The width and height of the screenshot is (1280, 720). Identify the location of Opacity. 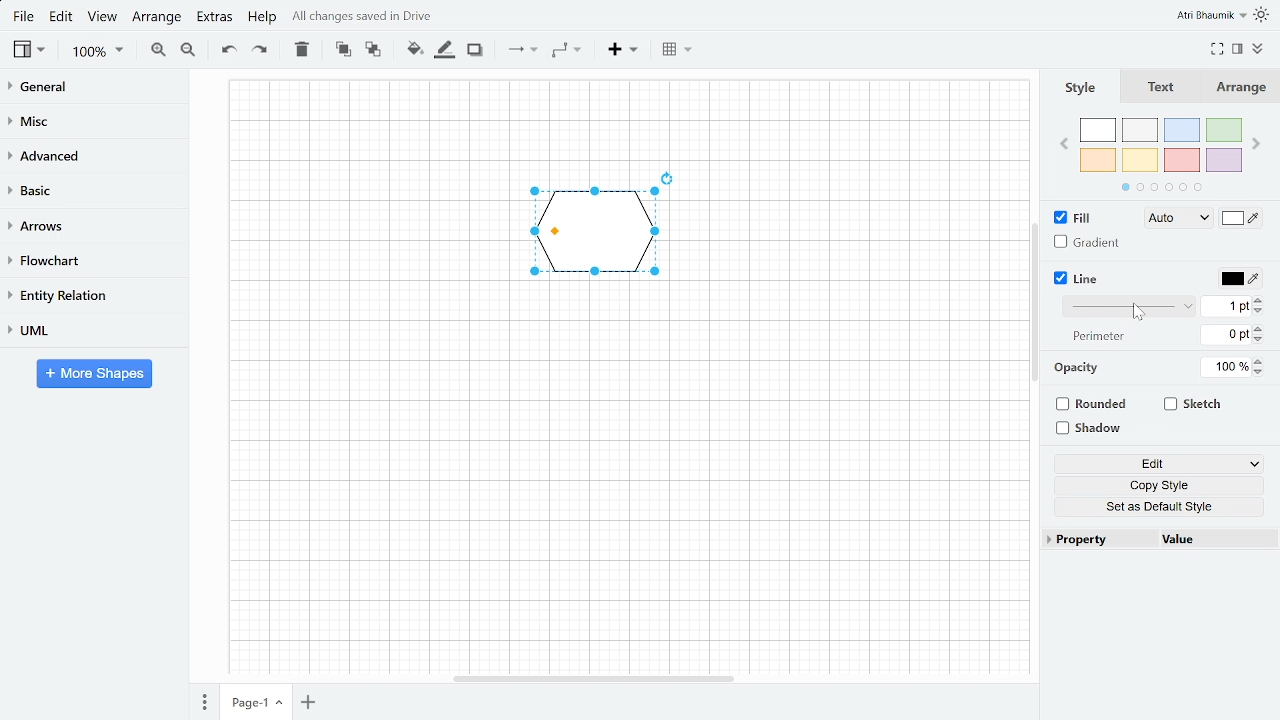
(1226, 367).